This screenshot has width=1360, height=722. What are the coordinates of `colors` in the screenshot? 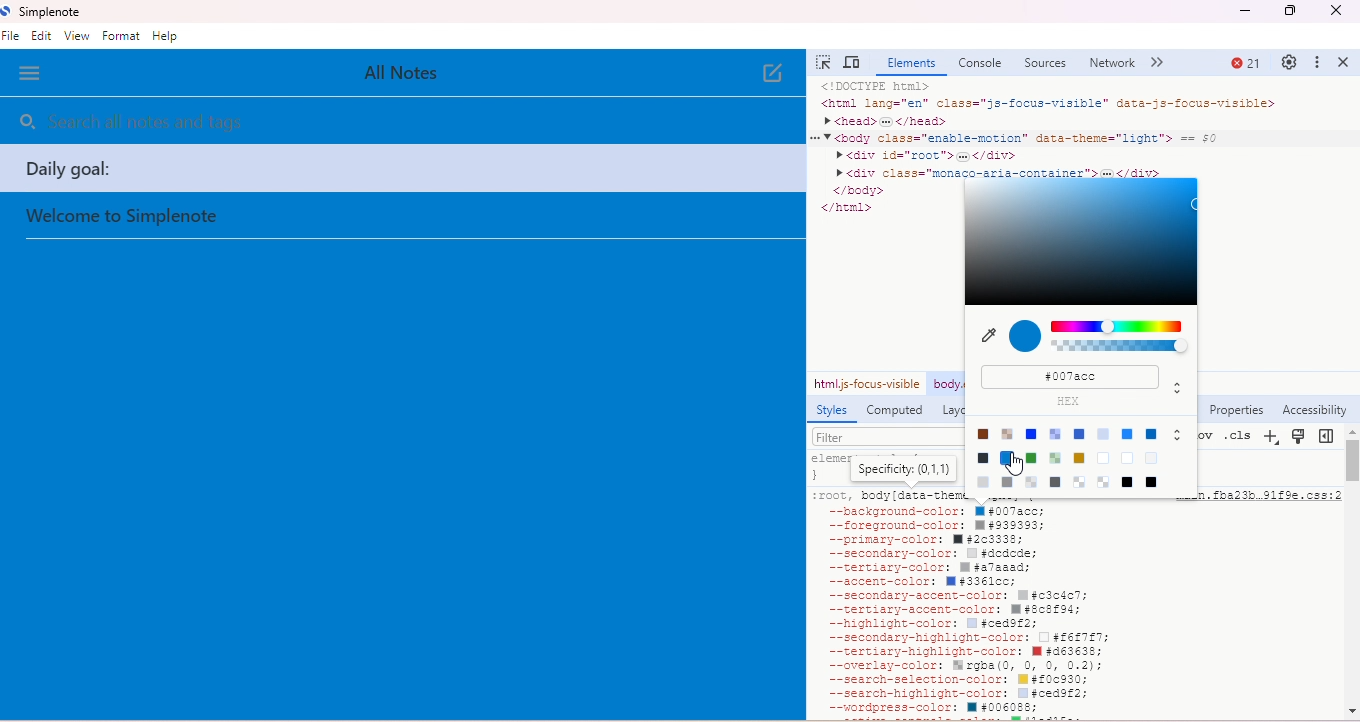 It's located at (1122, 341).